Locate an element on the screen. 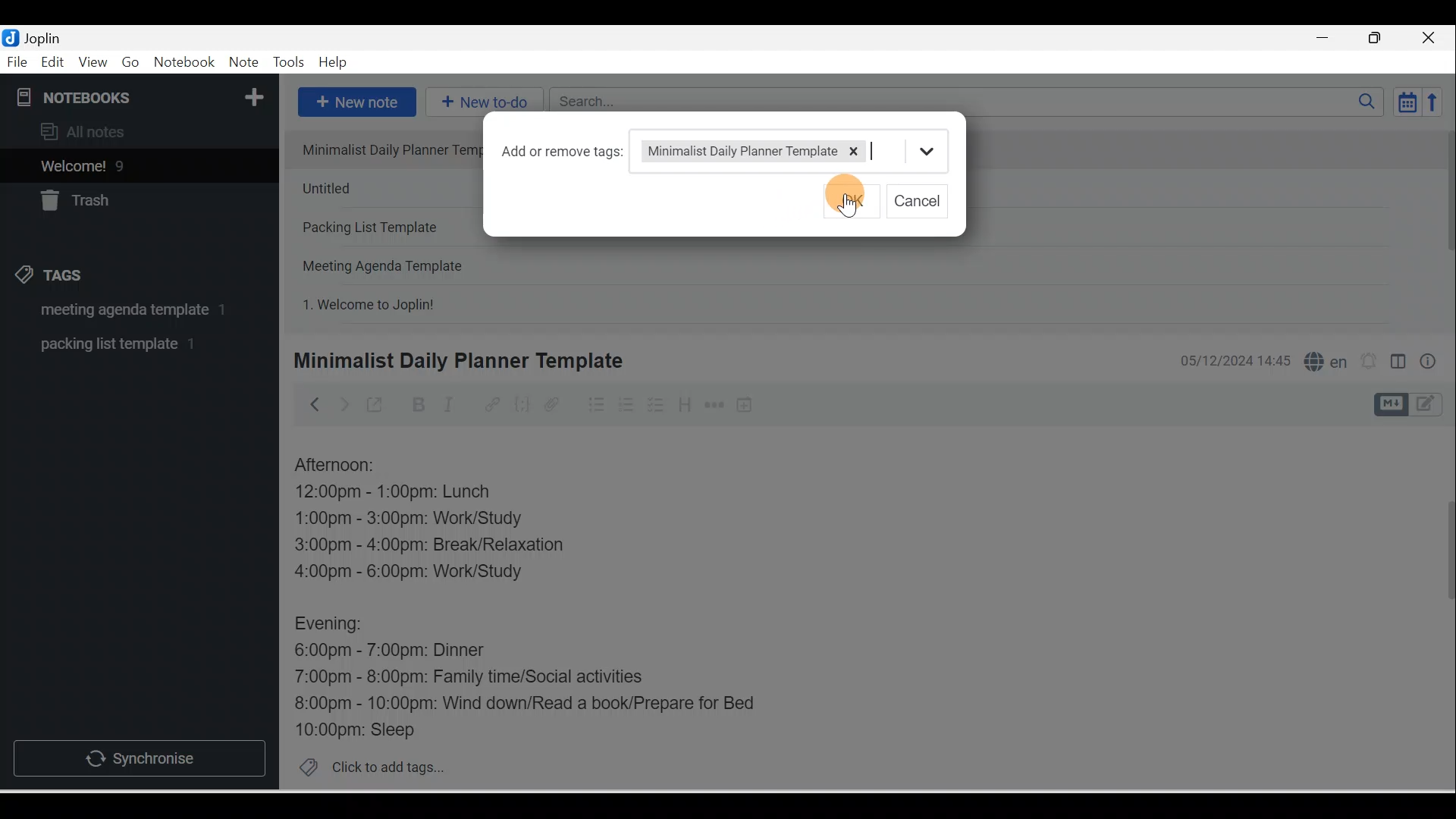 This screenshot has height=819, width=1456. Trash is located at coordinates (111, 196).